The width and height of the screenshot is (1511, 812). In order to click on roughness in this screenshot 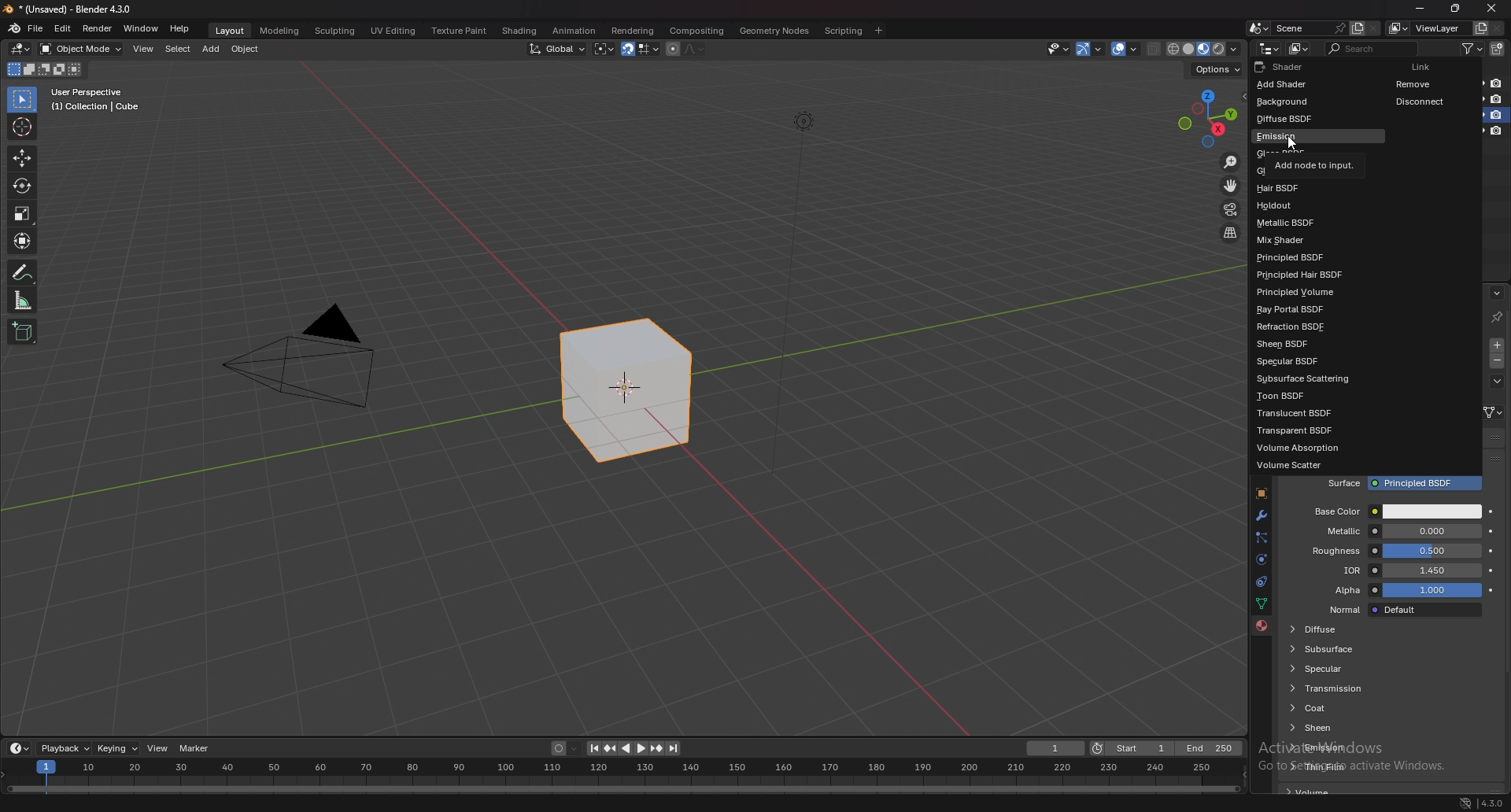, I will do `click(1395, 551)`.